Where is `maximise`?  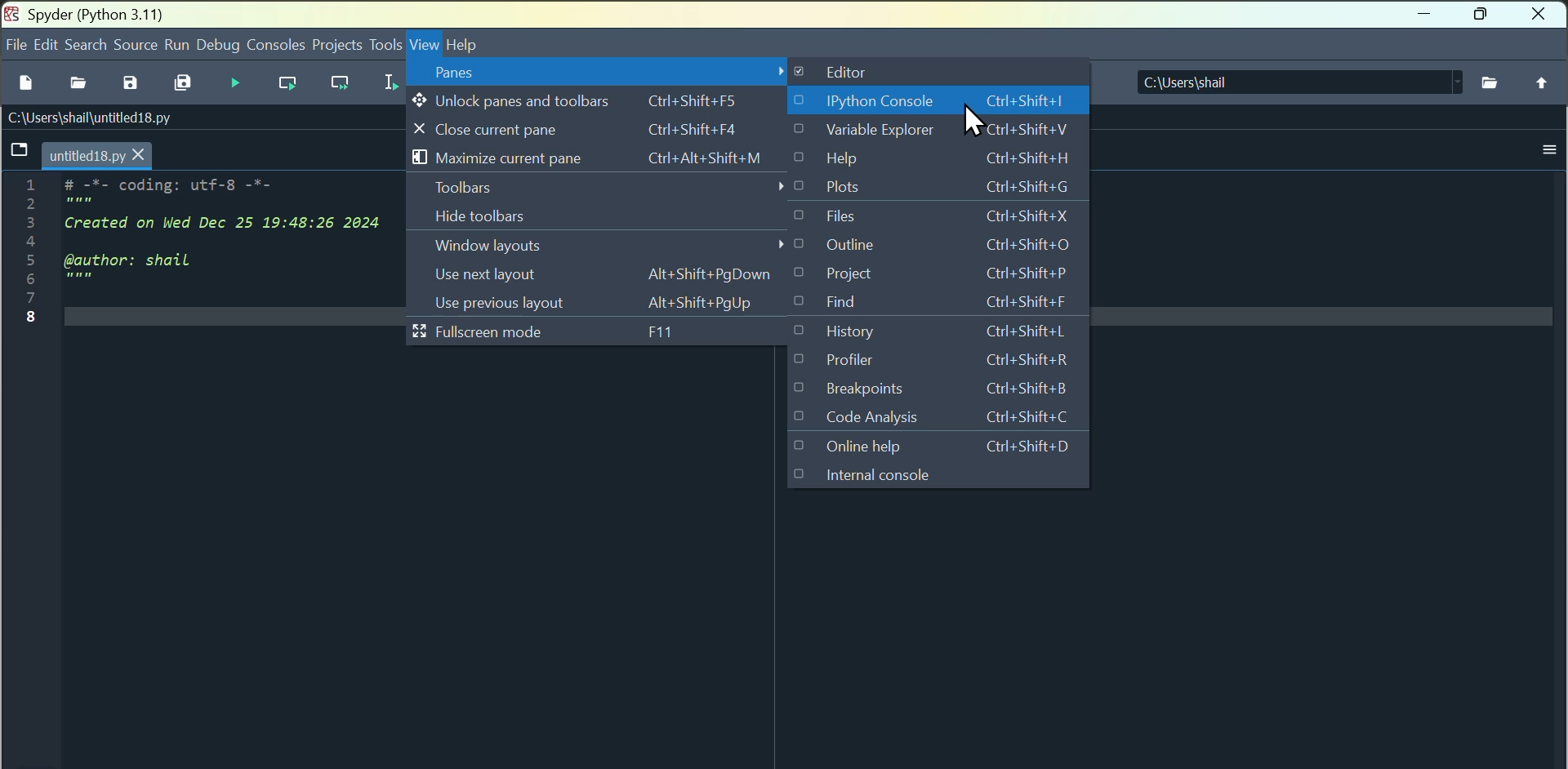
maximise is located at coordinates (1484, 14).